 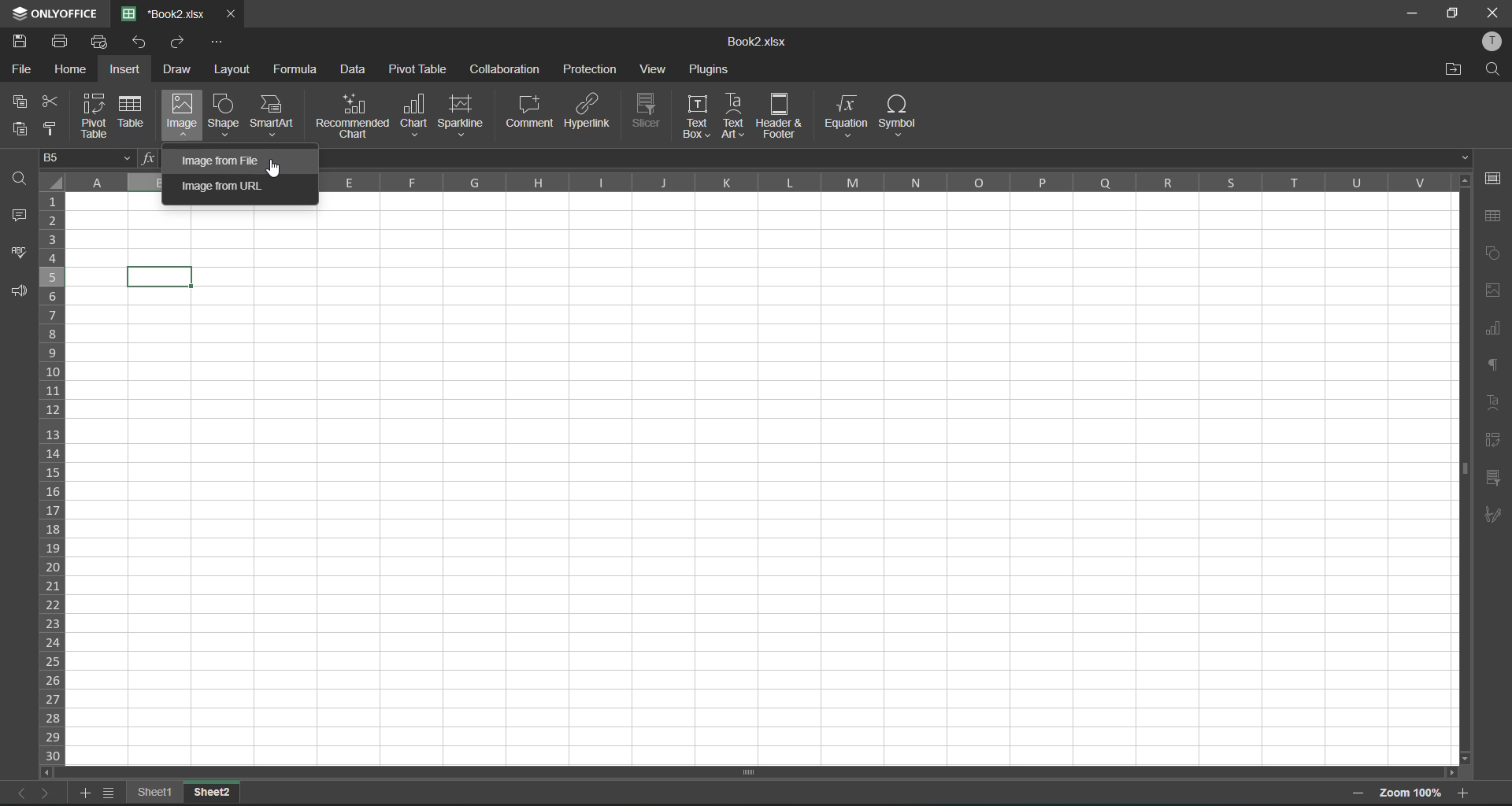 I want to click on chart, so click(x=414, y=114).